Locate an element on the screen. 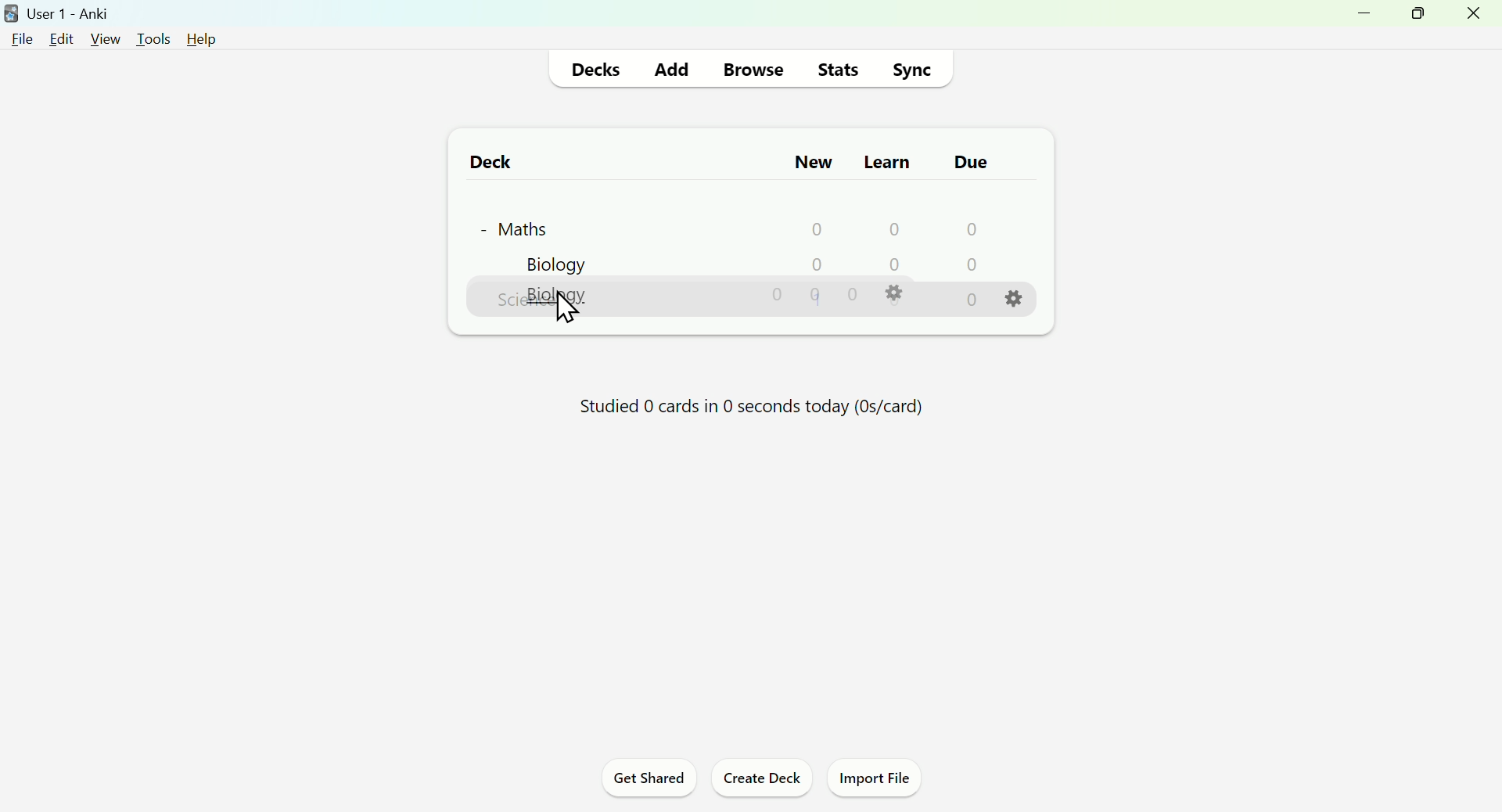 This screenshot has height=812, width=1502. 0 is located at coordinates (810, 230).